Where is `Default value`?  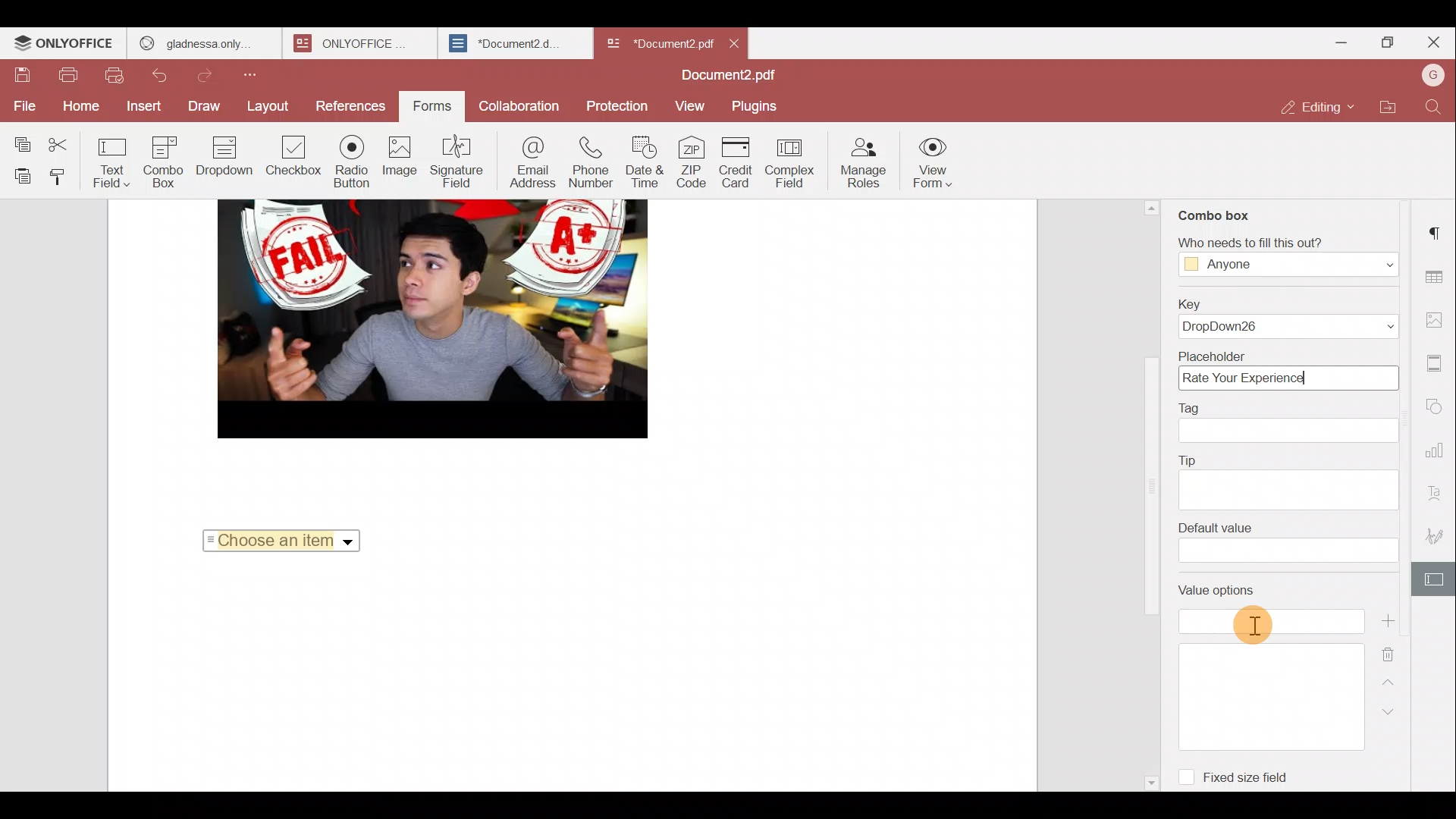
Default value is located at coordinates (1287, 542).